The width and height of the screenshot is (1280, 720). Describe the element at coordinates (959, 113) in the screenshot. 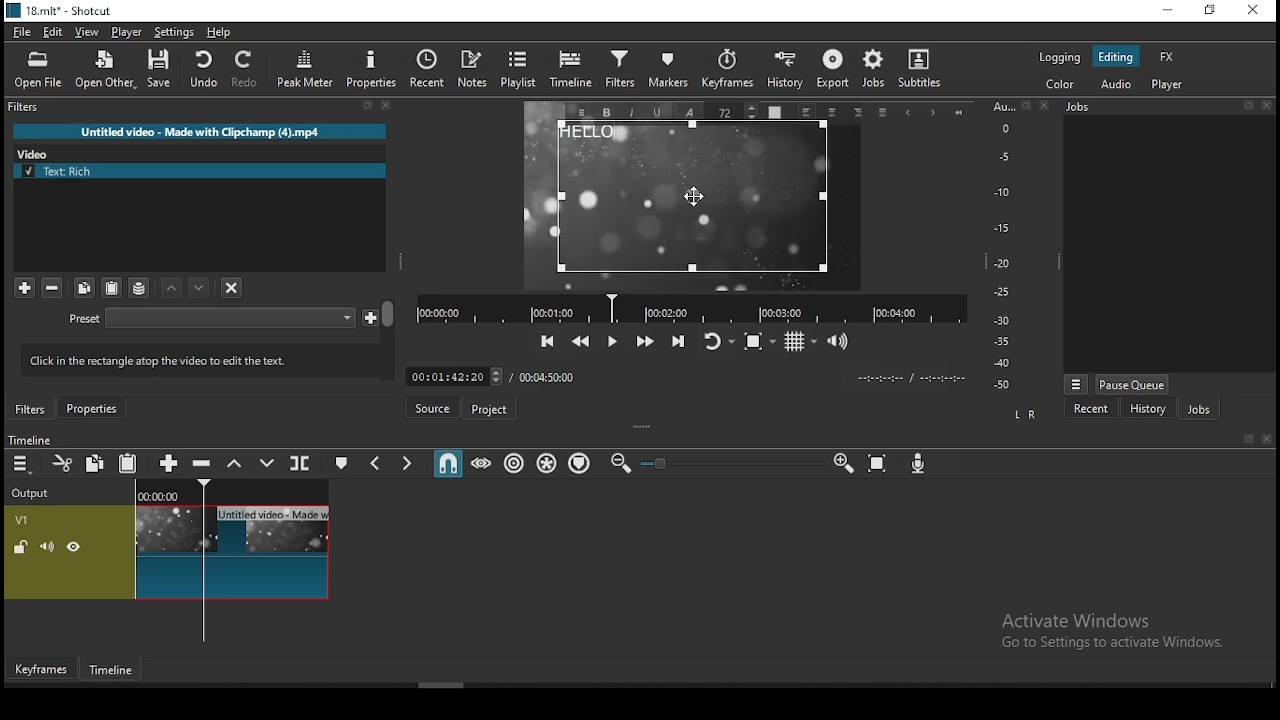

I see `Start` at that location.